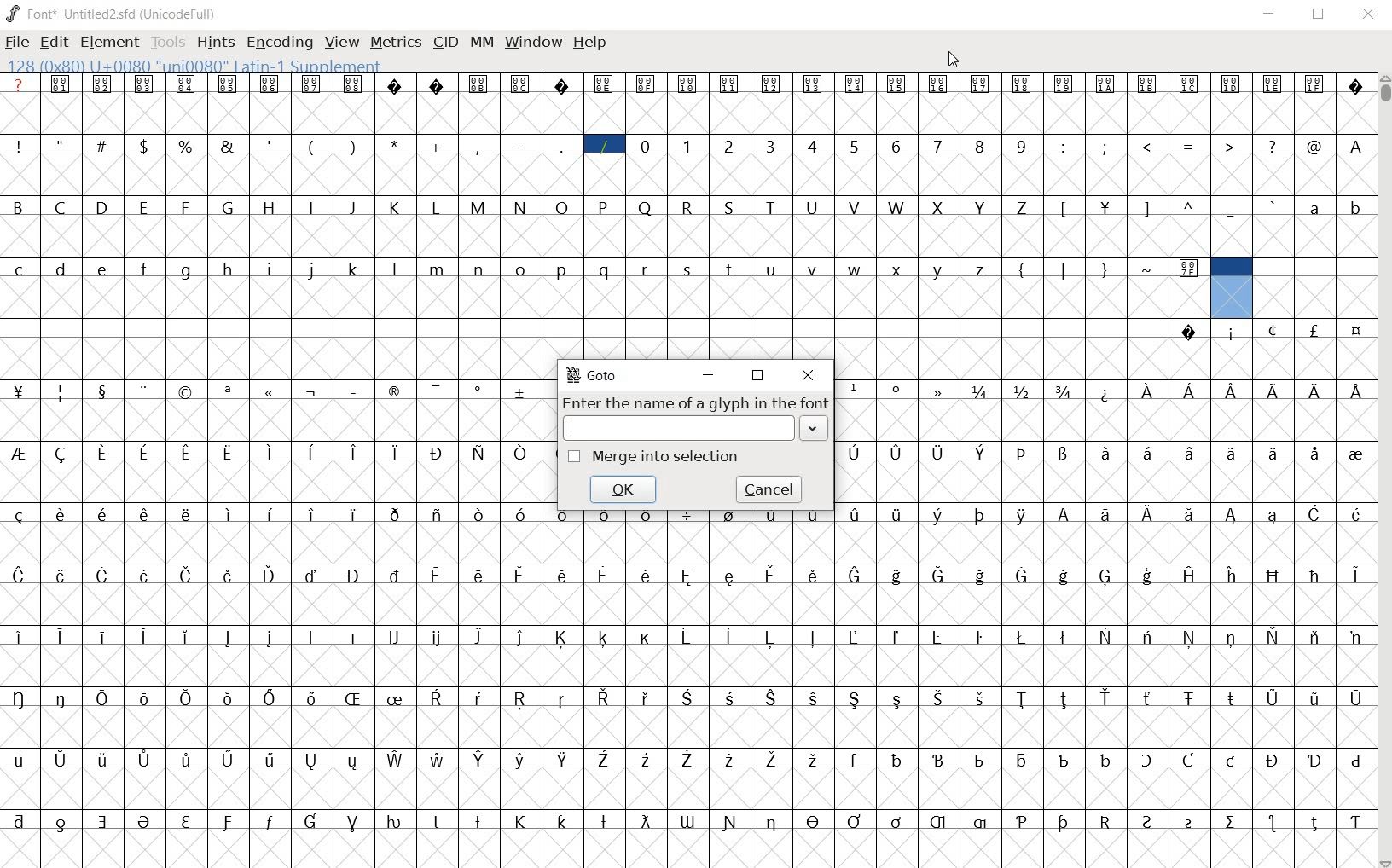  I want to click on Symbol, so click(59, 759).